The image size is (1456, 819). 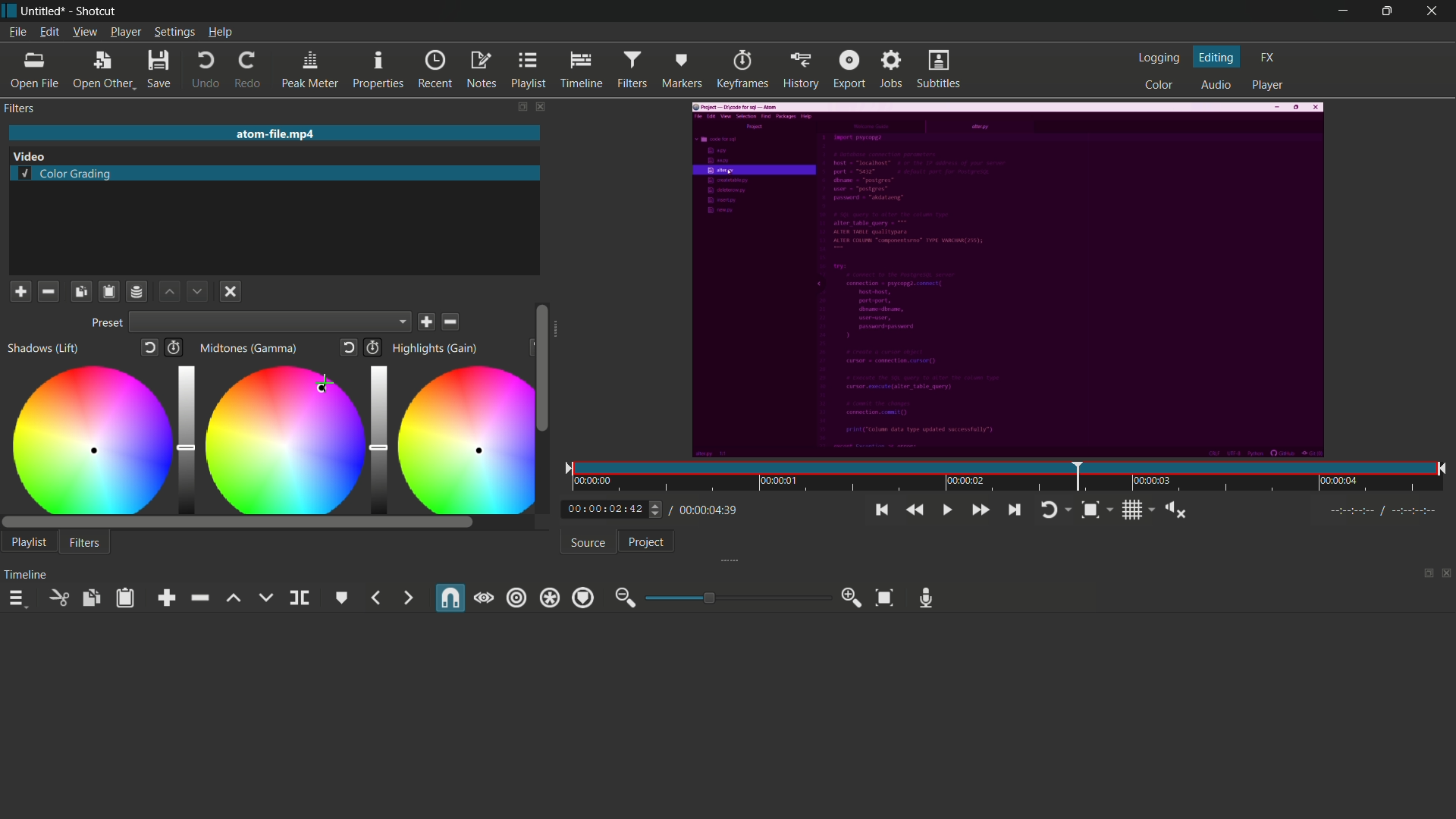 I want to click on close filter, so click(x=538, y=106).